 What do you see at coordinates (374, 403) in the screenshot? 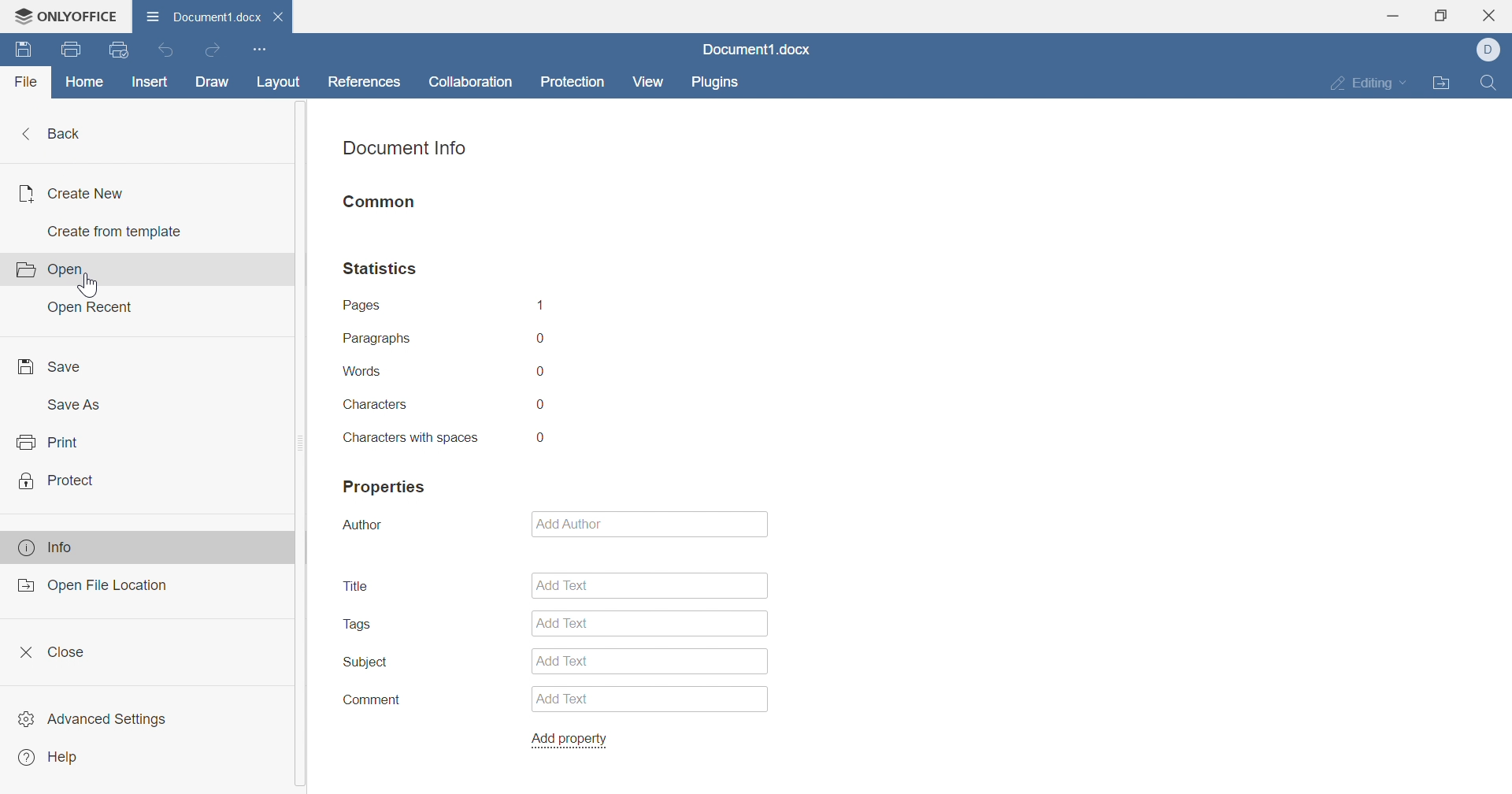
I see `characters` at bounding box center [374, 403].